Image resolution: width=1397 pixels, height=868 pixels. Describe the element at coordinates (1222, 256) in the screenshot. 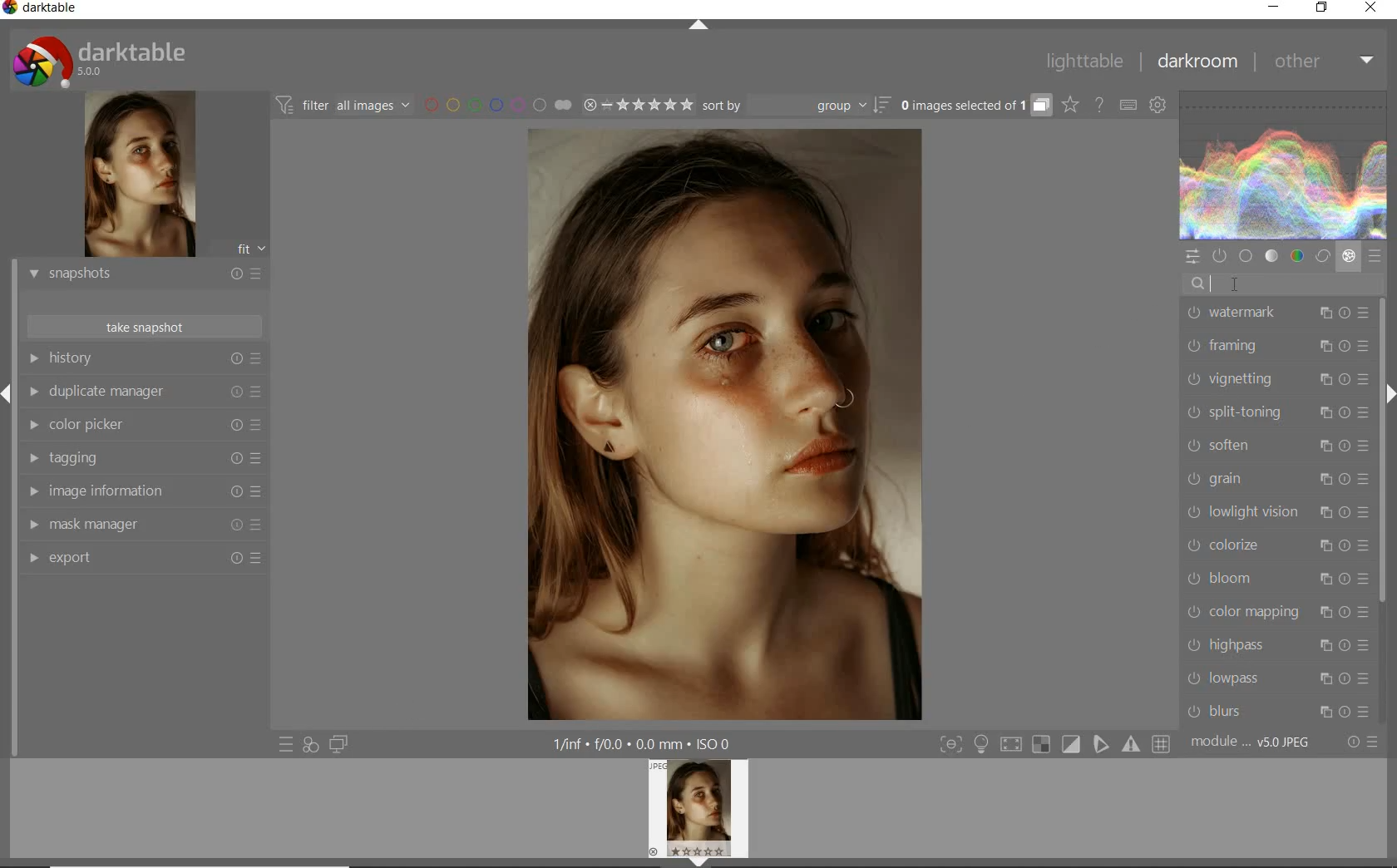

I see `show only active modules` at that location.